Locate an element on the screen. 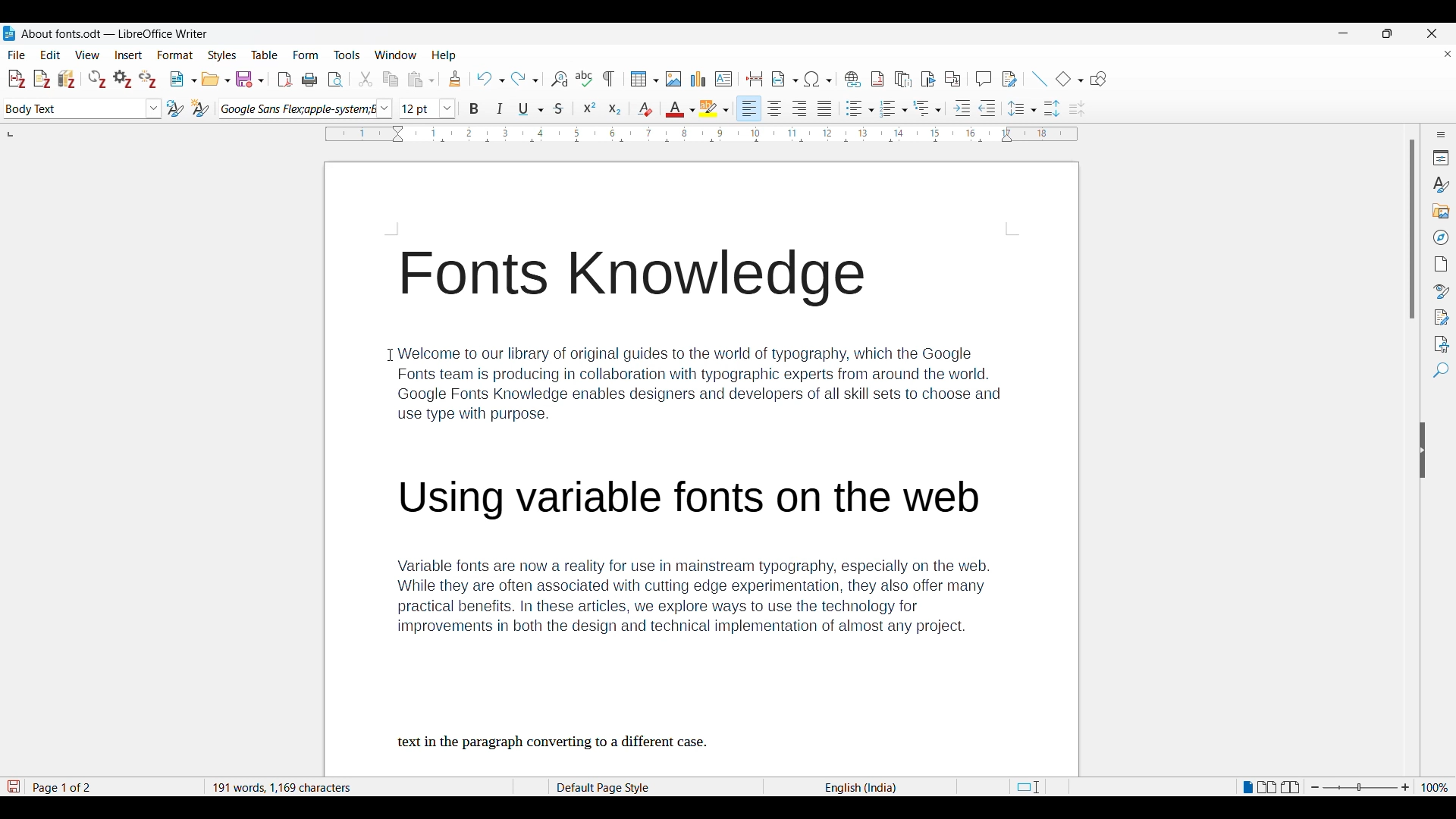  File menu is located at coordinates (17, 55).